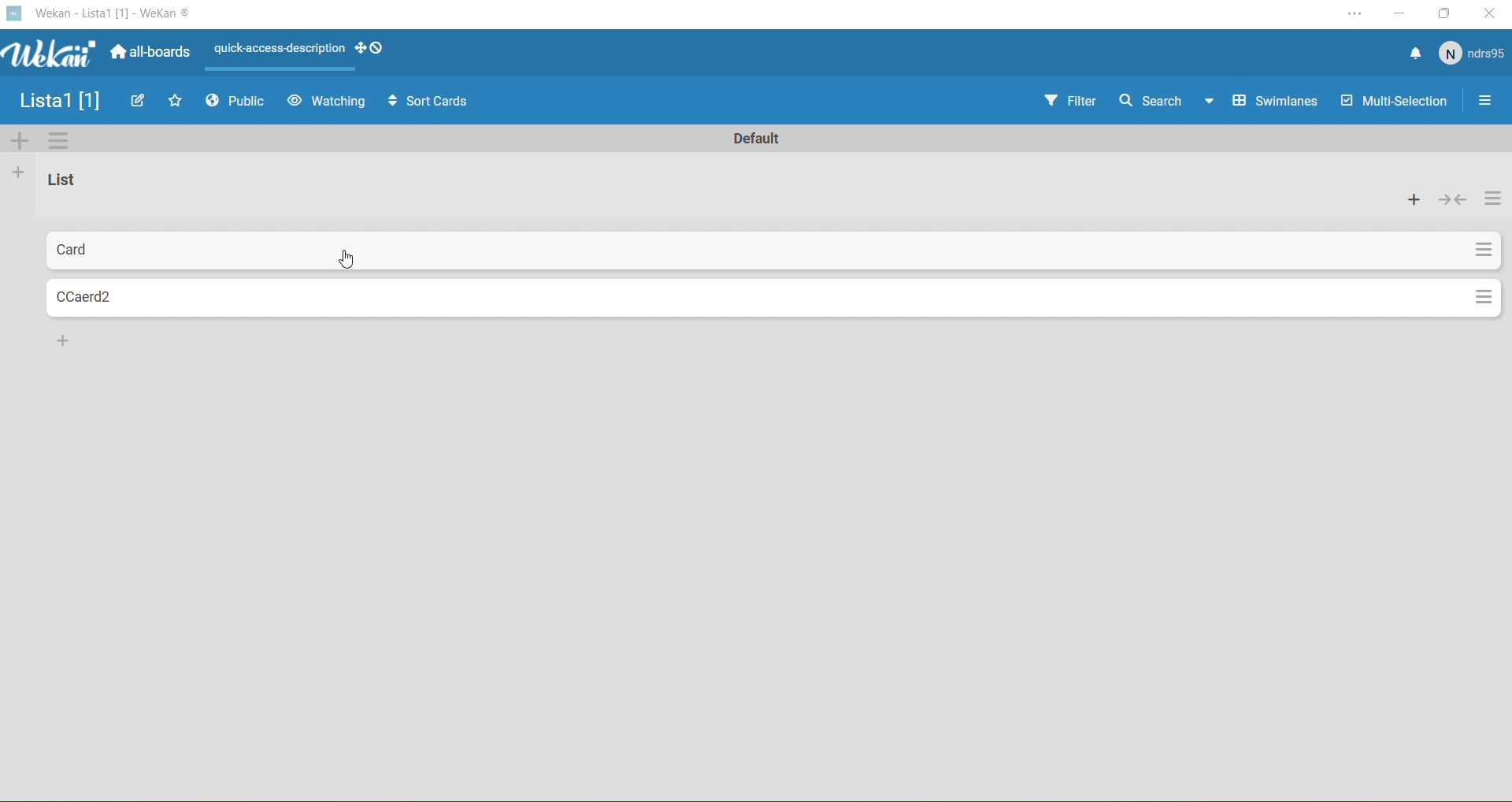 Image resolution: width=1512 pixels, height=802 pixels. I want to click on add, so click(1406, 199).